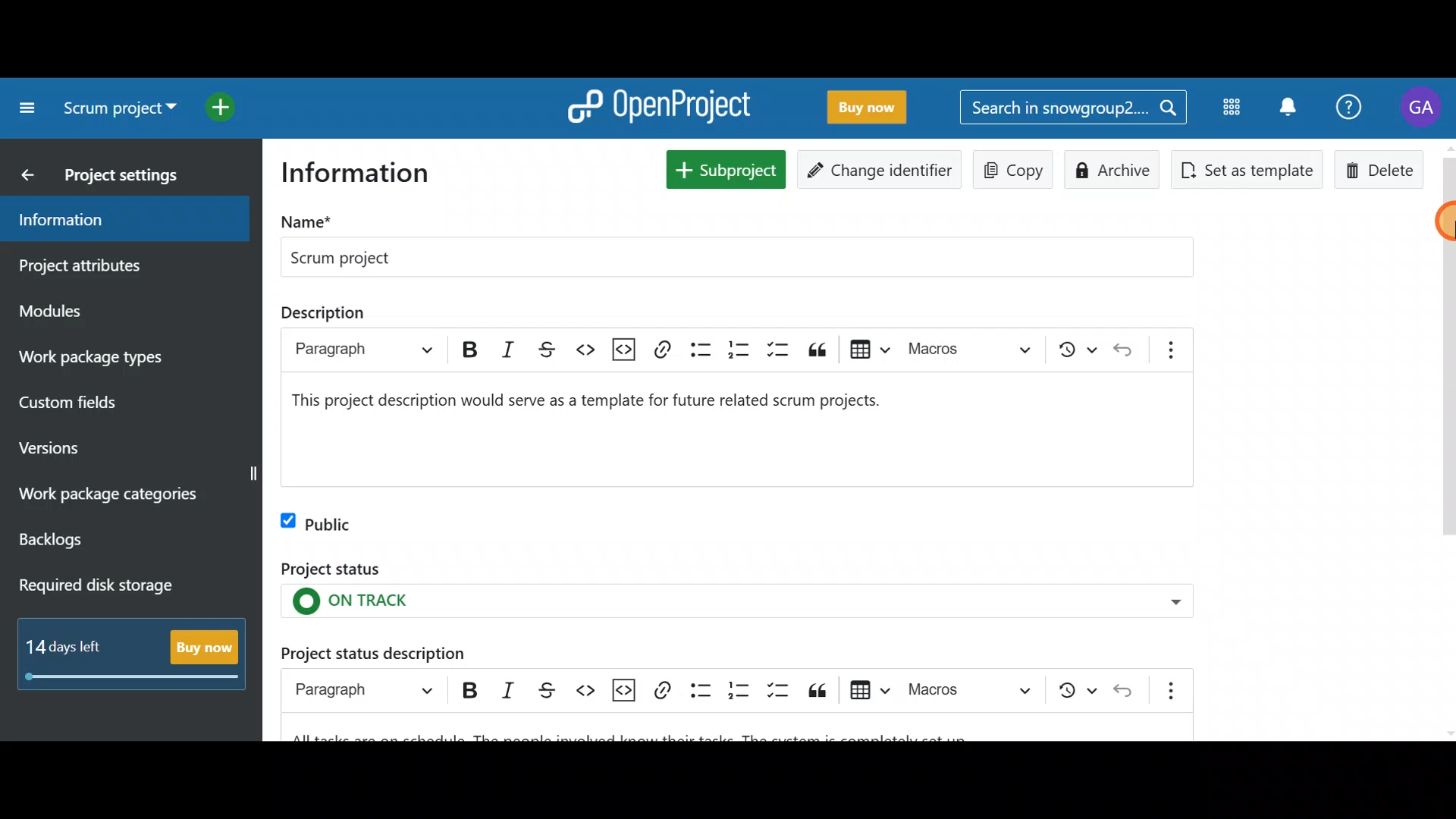  Describe the element at coordinates (513, 689) in the screenshot. I see `Italic` at that location.